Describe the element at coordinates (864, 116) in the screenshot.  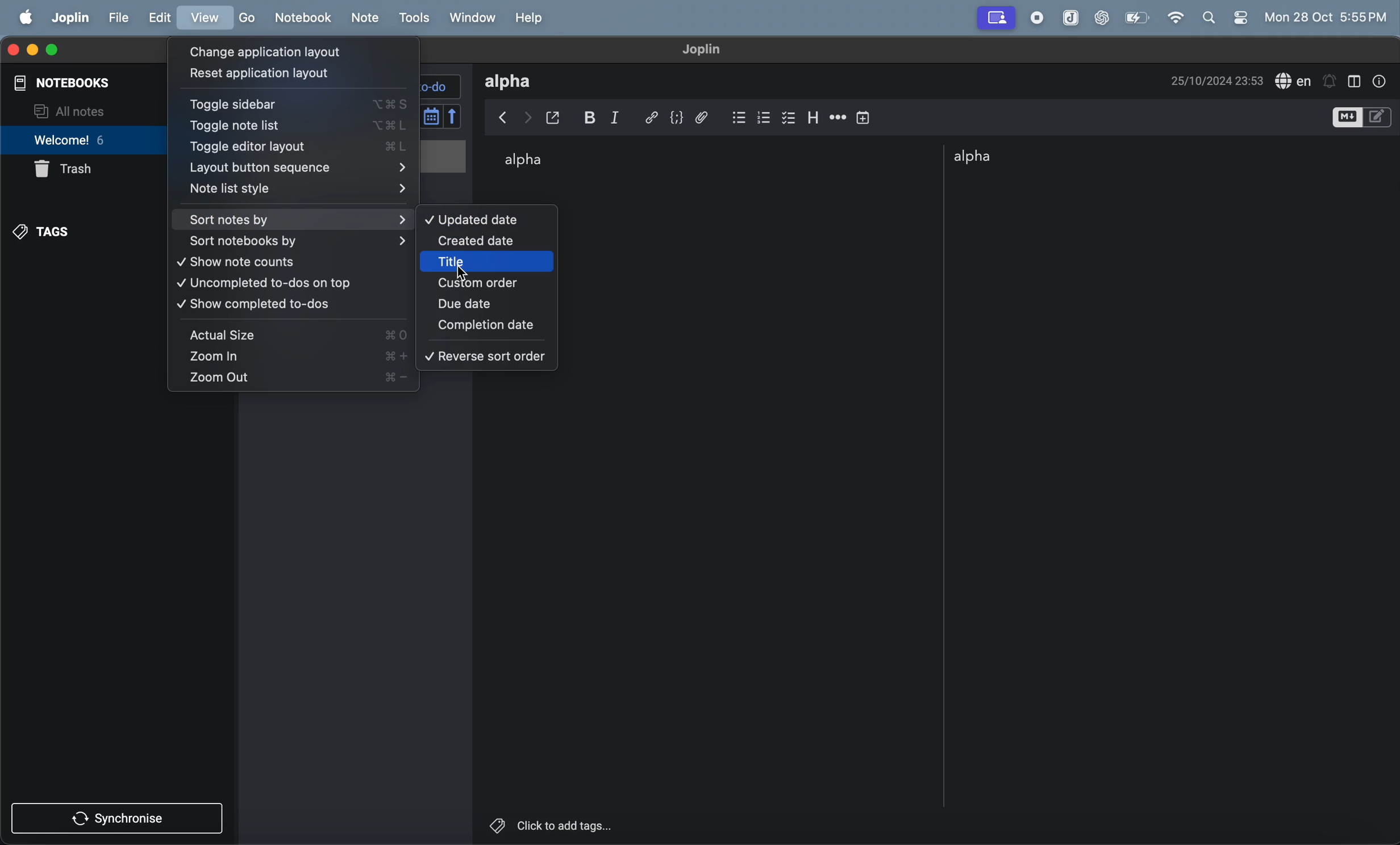
I see `add time` at that location.